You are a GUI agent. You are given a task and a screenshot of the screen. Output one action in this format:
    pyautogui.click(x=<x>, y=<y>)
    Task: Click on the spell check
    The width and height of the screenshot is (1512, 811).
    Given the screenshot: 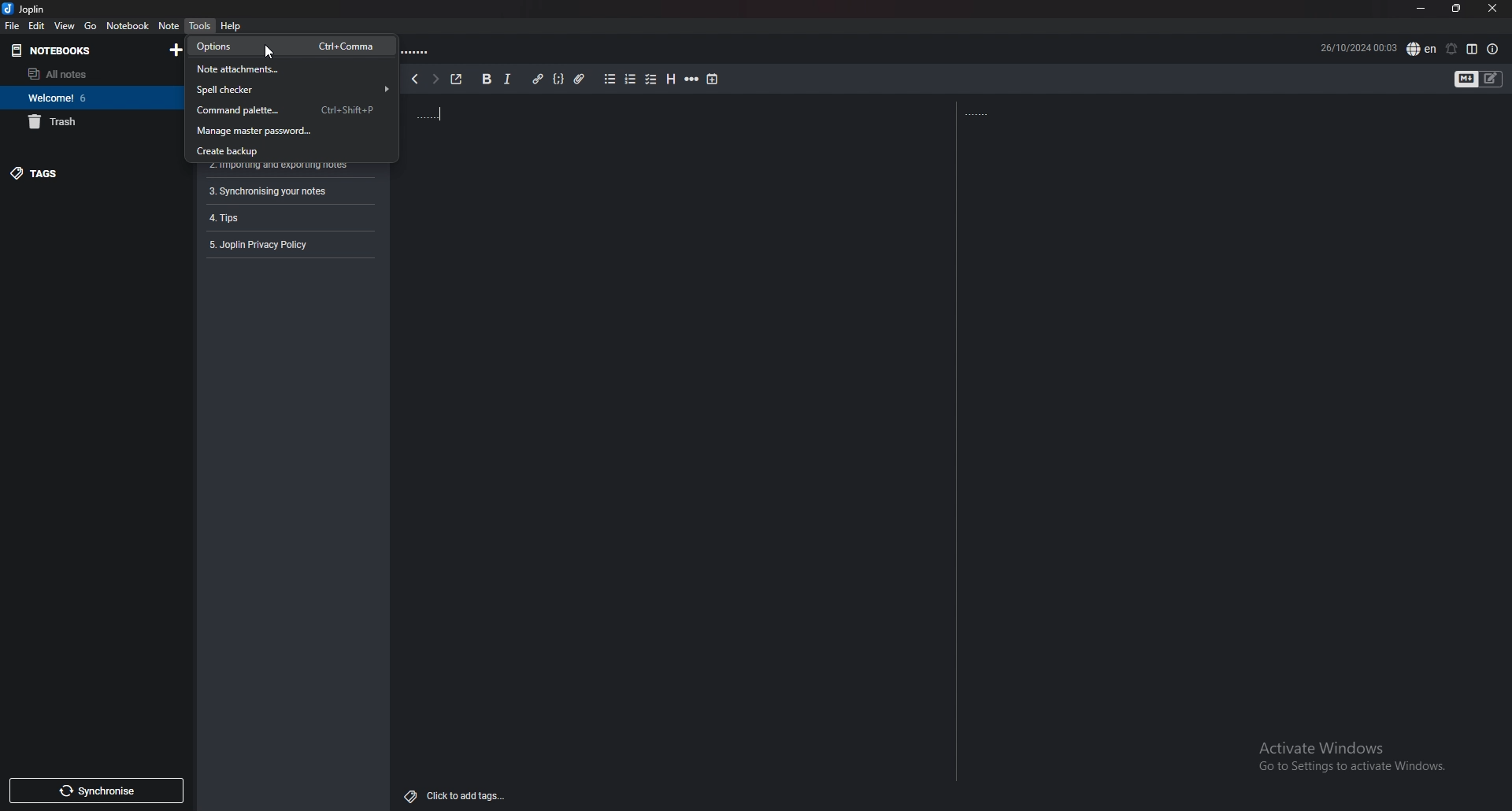 What is the action you would take?
    pyautogui.click(x=1421, y=48)
    